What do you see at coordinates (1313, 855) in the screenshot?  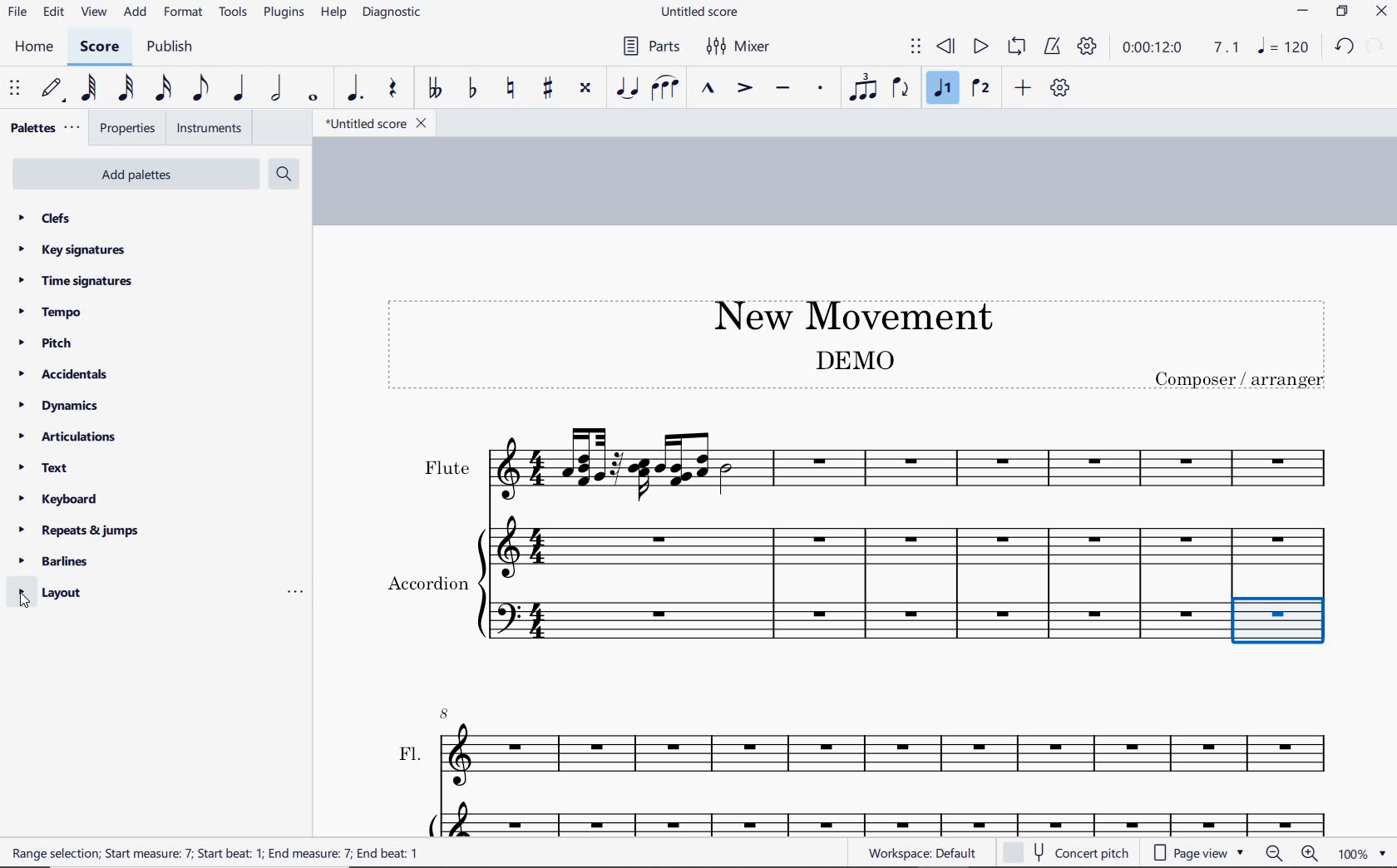 I see `zoom in` at bounding box center [1313, 855].